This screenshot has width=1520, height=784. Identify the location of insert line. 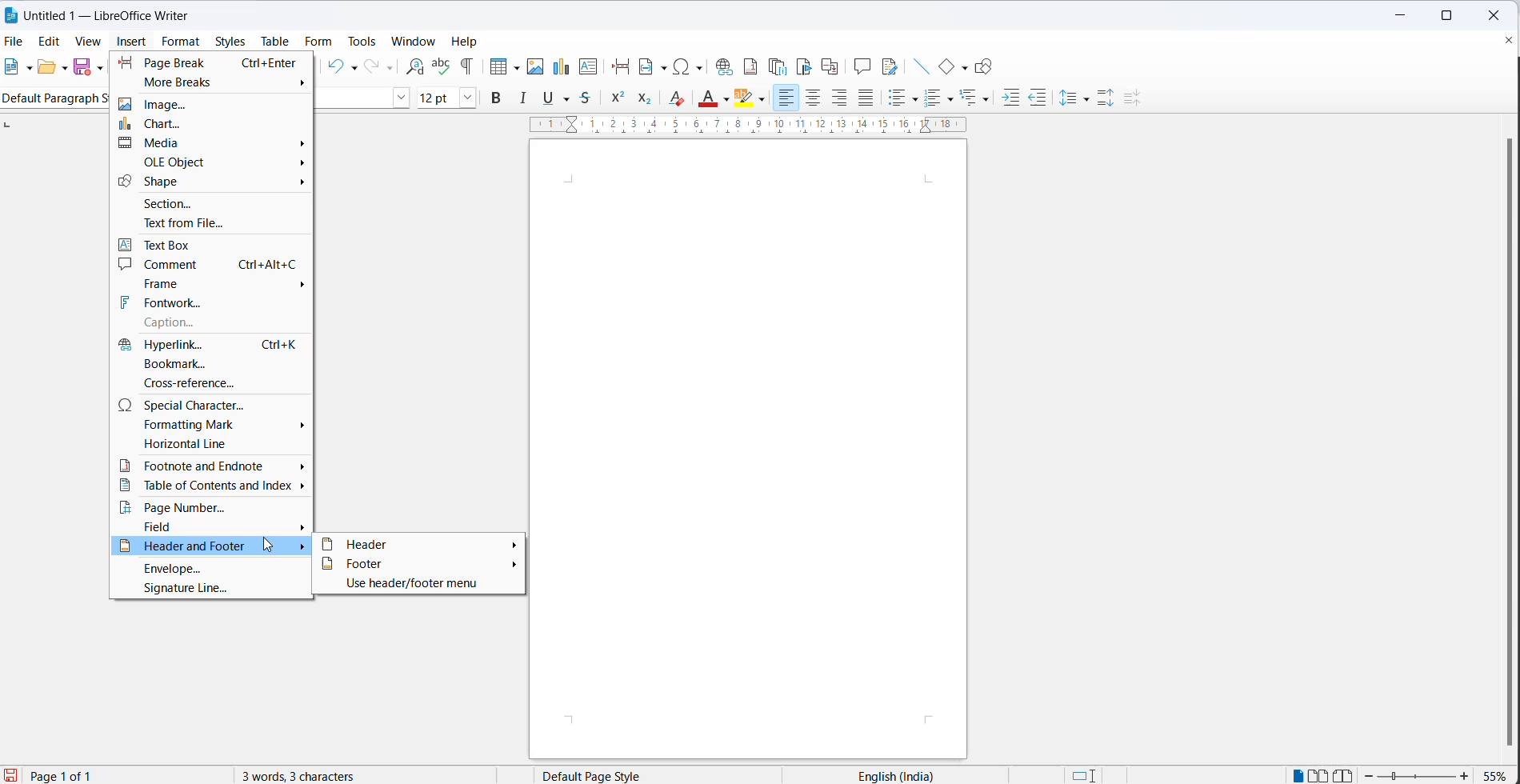
(918, 64).